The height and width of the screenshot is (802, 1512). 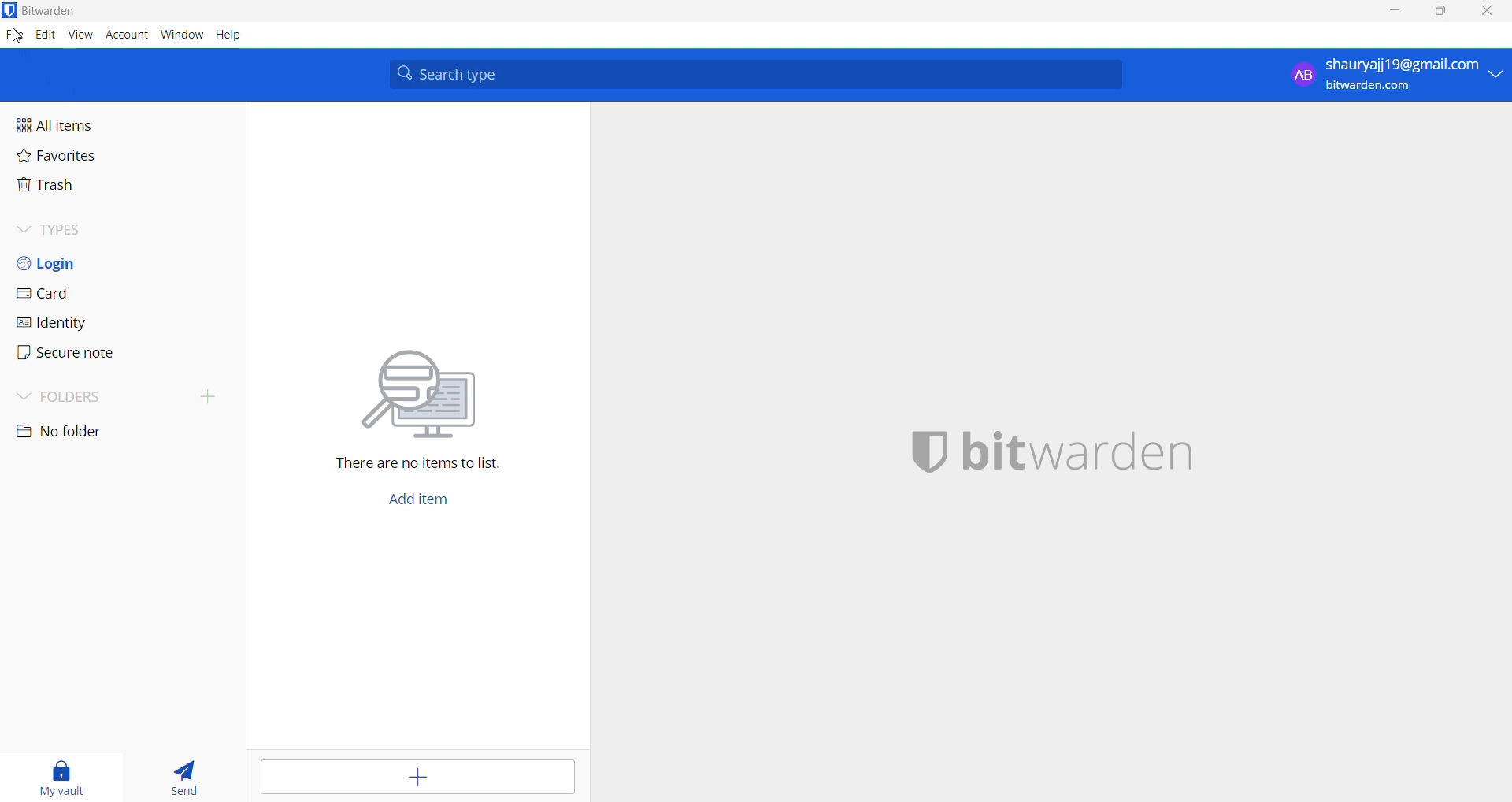 What do you see at coordinates (434, 504) in the screenshot?
I see `add item` at bounding box center [434, 504].